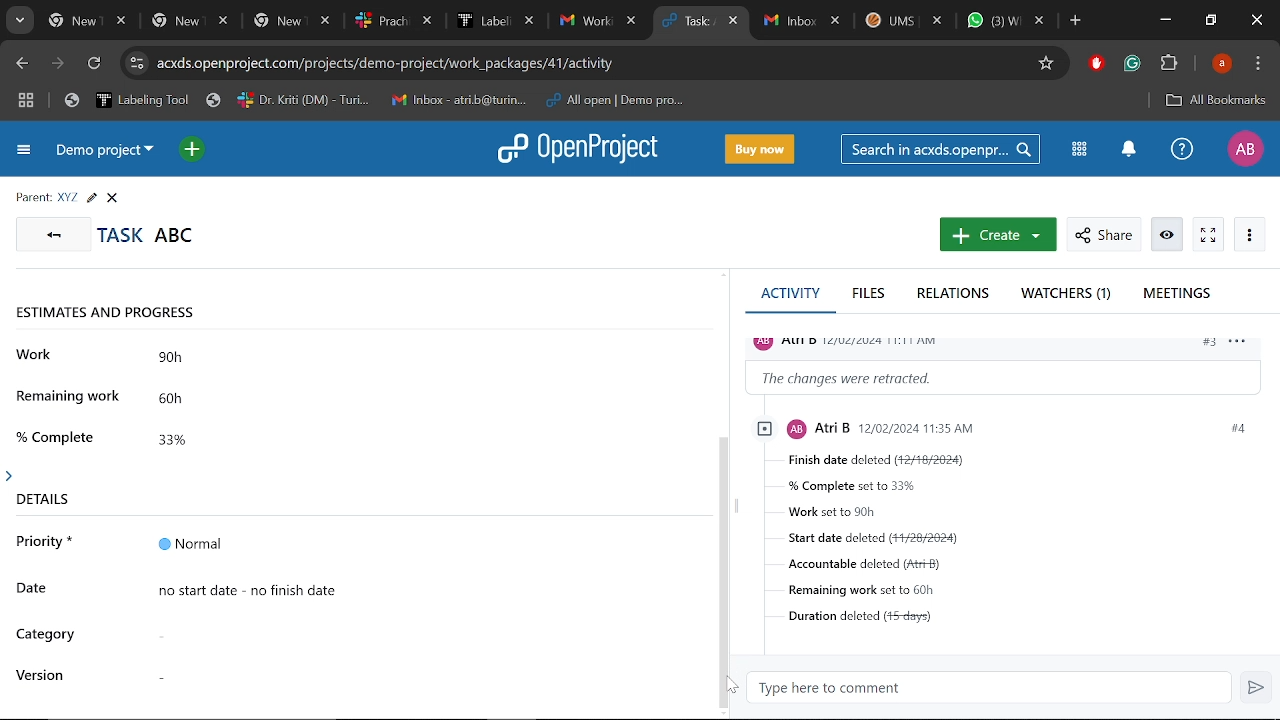  What do you see at coordinates (1169, 65) in the screenshot?
I see `Extenions` at bounding box center [1169, 65].